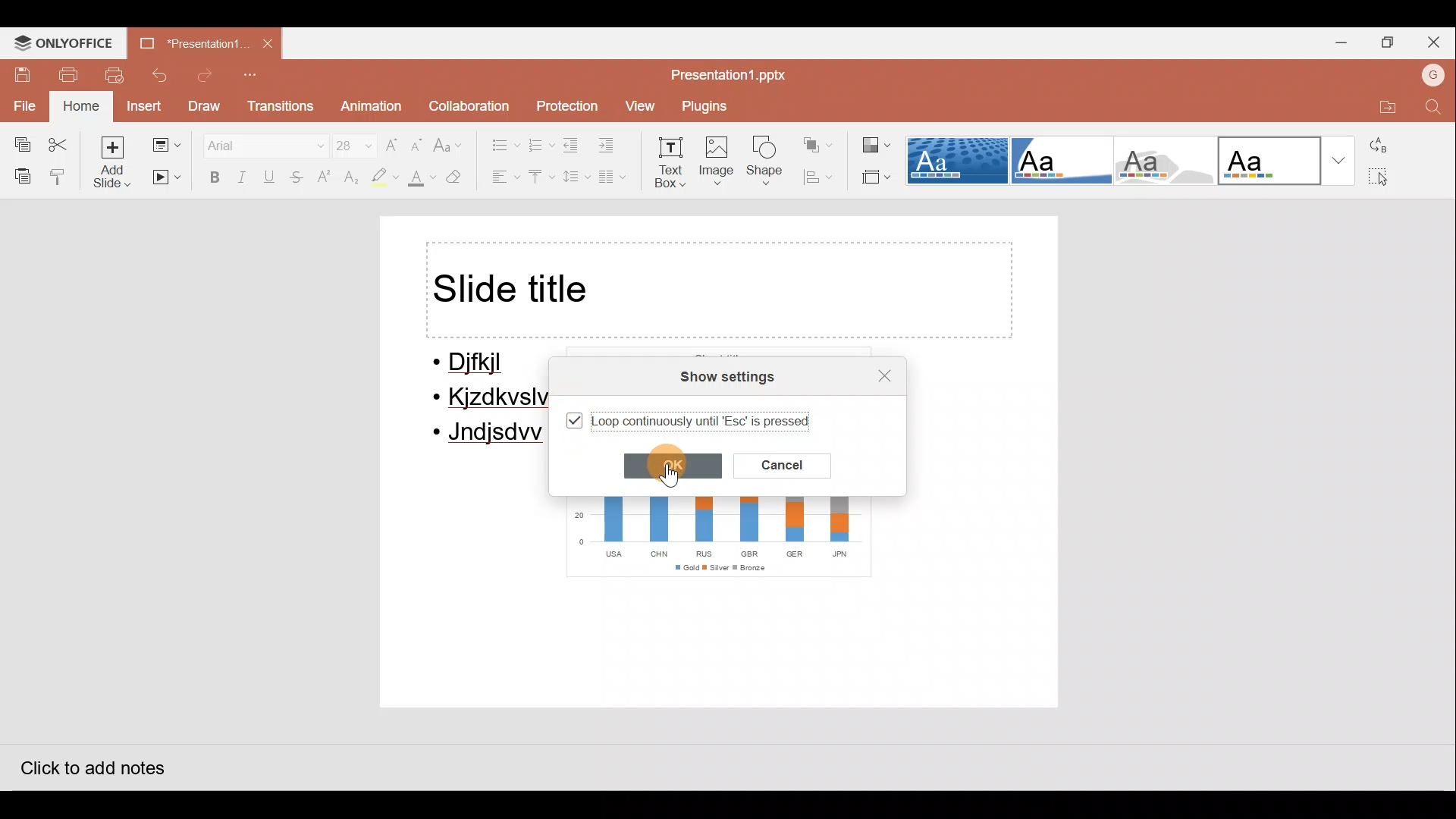  I want to click on Bold, so click(210, 176).